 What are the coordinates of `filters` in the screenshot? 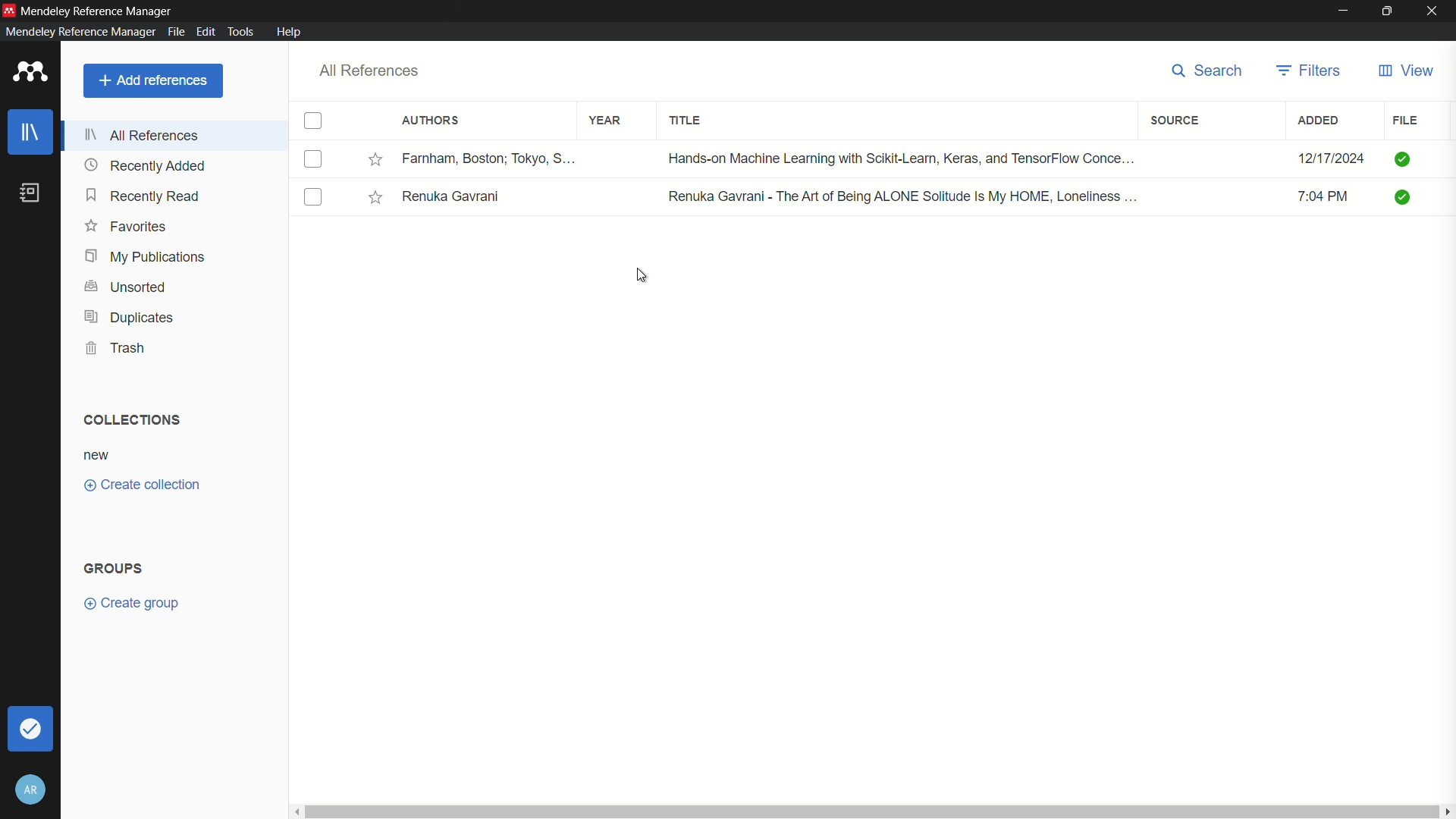 It's located at (1310, 71).